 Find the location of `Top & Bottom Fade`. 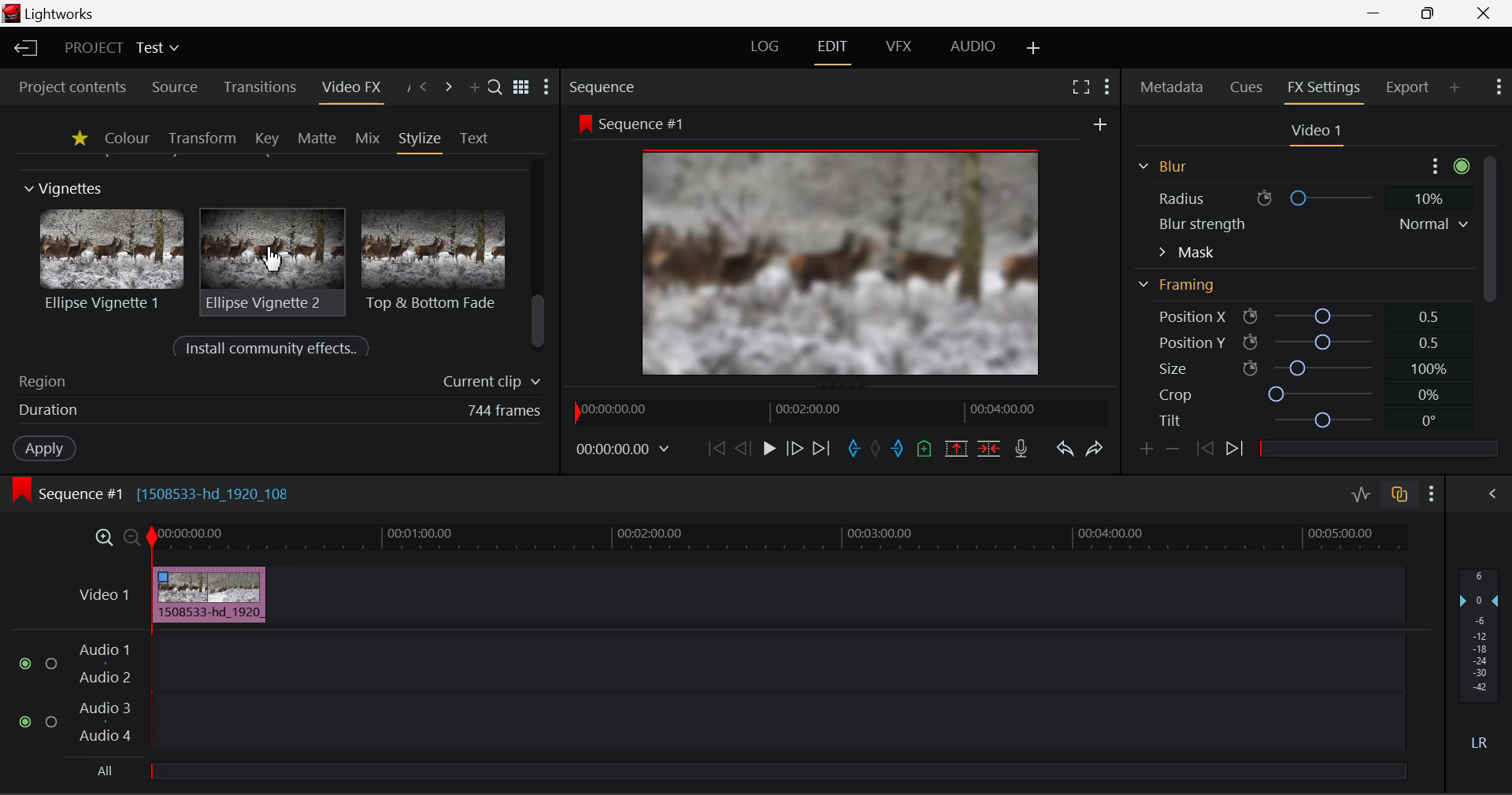

Top & Bottom Fade is located at coordinates (435, 258).